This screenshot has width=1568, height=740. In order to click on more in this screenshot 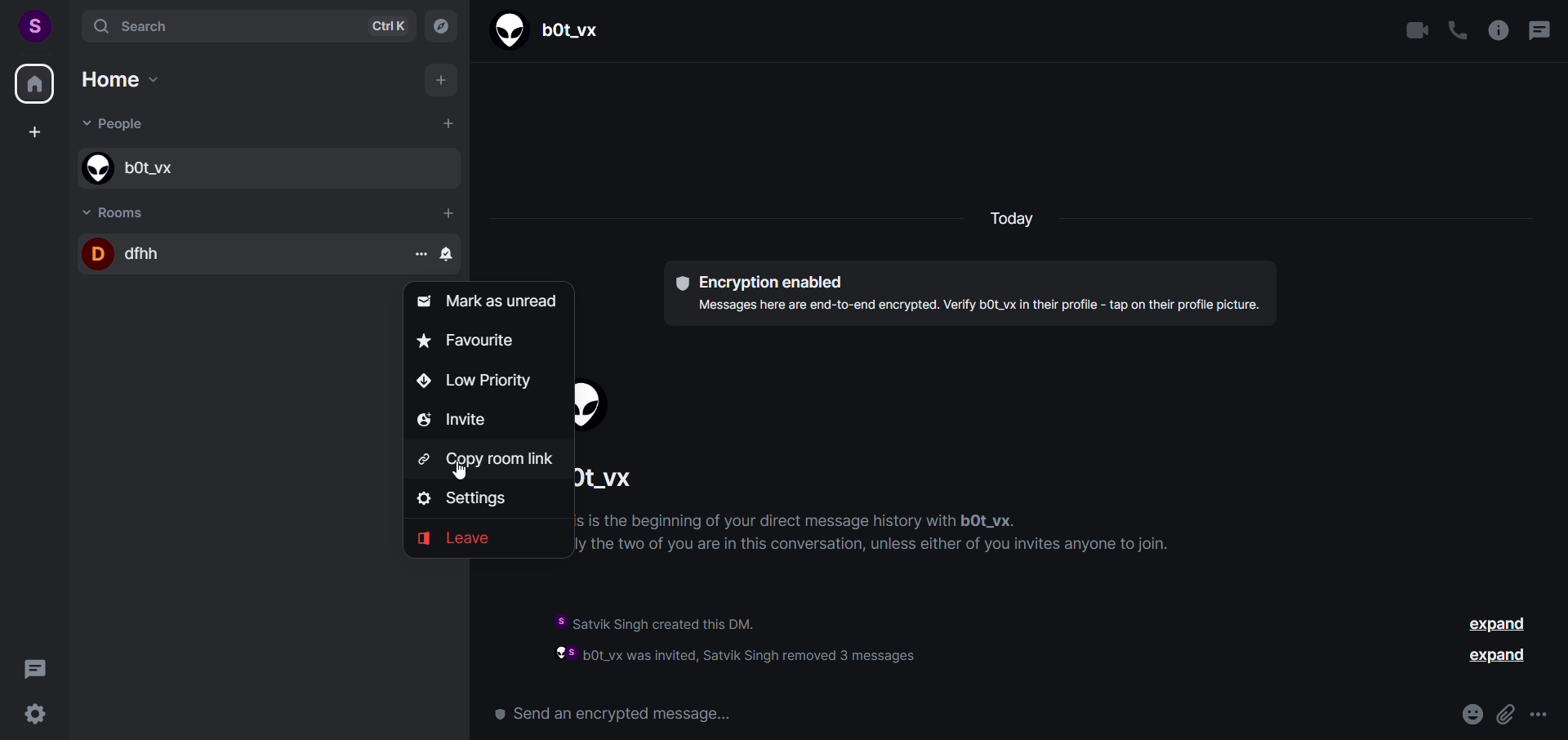, I will do `click(1540, 715)`.